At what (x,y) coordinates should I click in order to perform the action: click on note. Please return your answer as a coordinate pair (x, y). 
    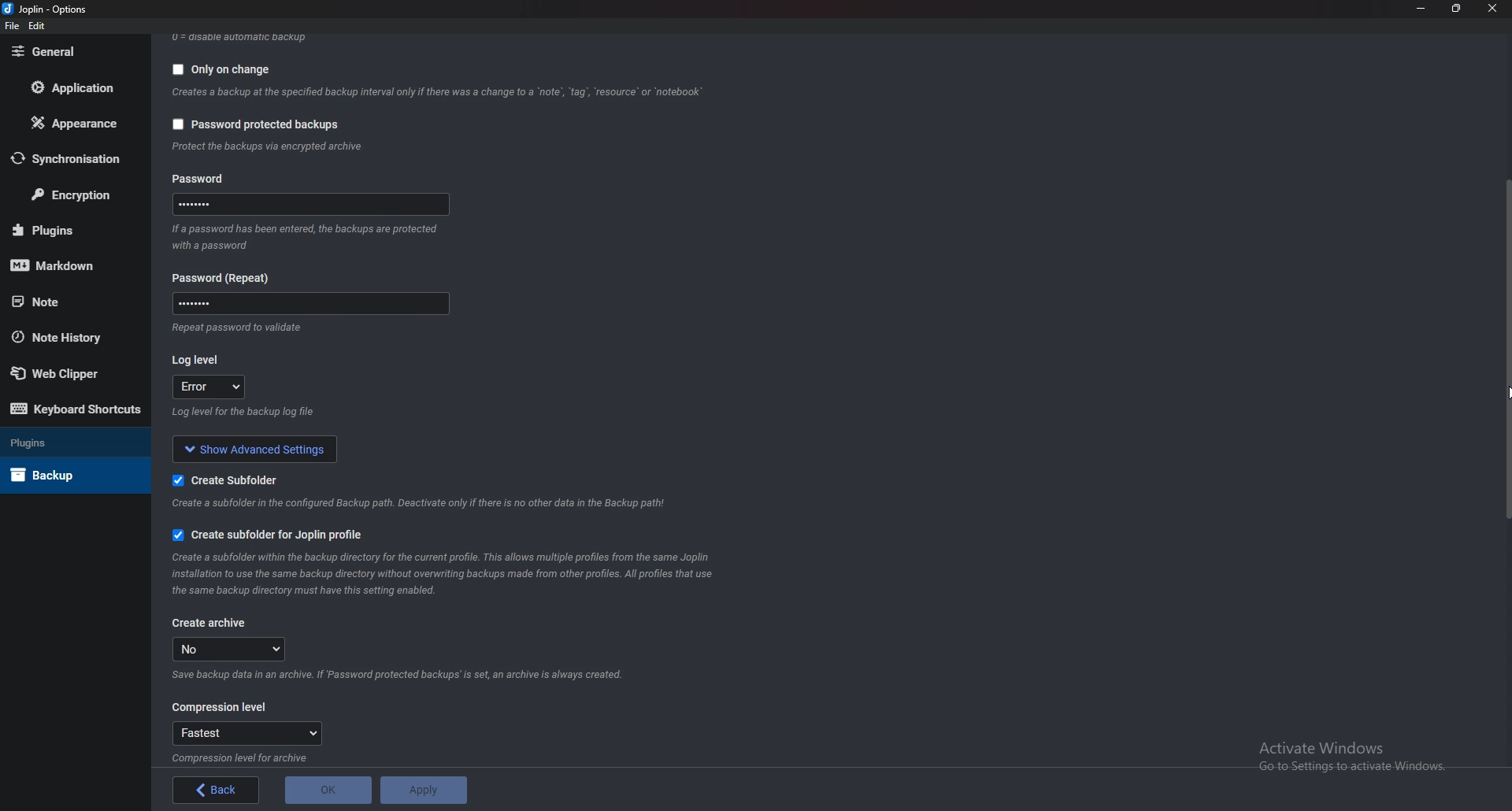
    Looking at the image, I should click on (64, 302).